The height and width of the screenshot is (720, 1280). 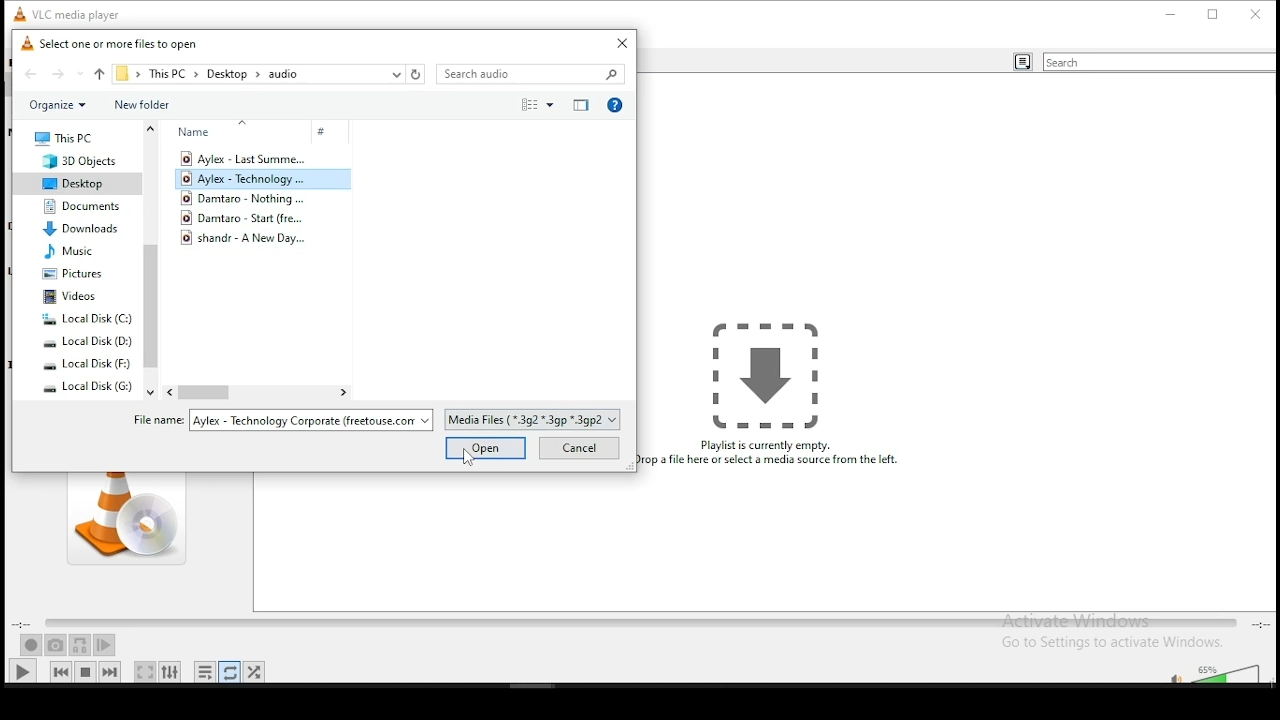 I want to click on next media in the playlist, skips forward when held, so click(x=112, y=671).